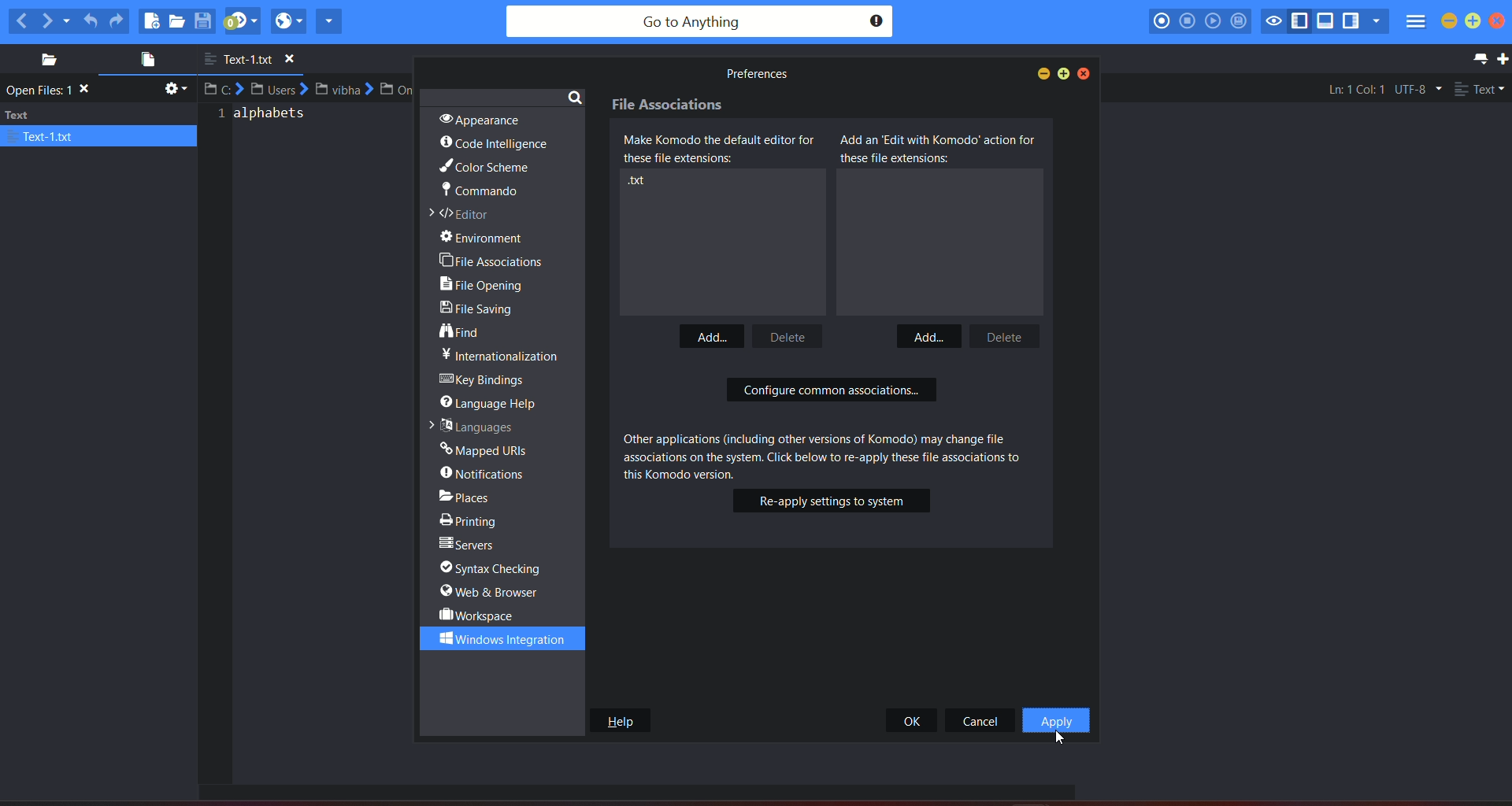 Image resolution: width=1512 pixels, height=806 pixels. What do you see at coordinates (205, 20) in the screenshot?
I see `save file` at bounding box center [205, 20].